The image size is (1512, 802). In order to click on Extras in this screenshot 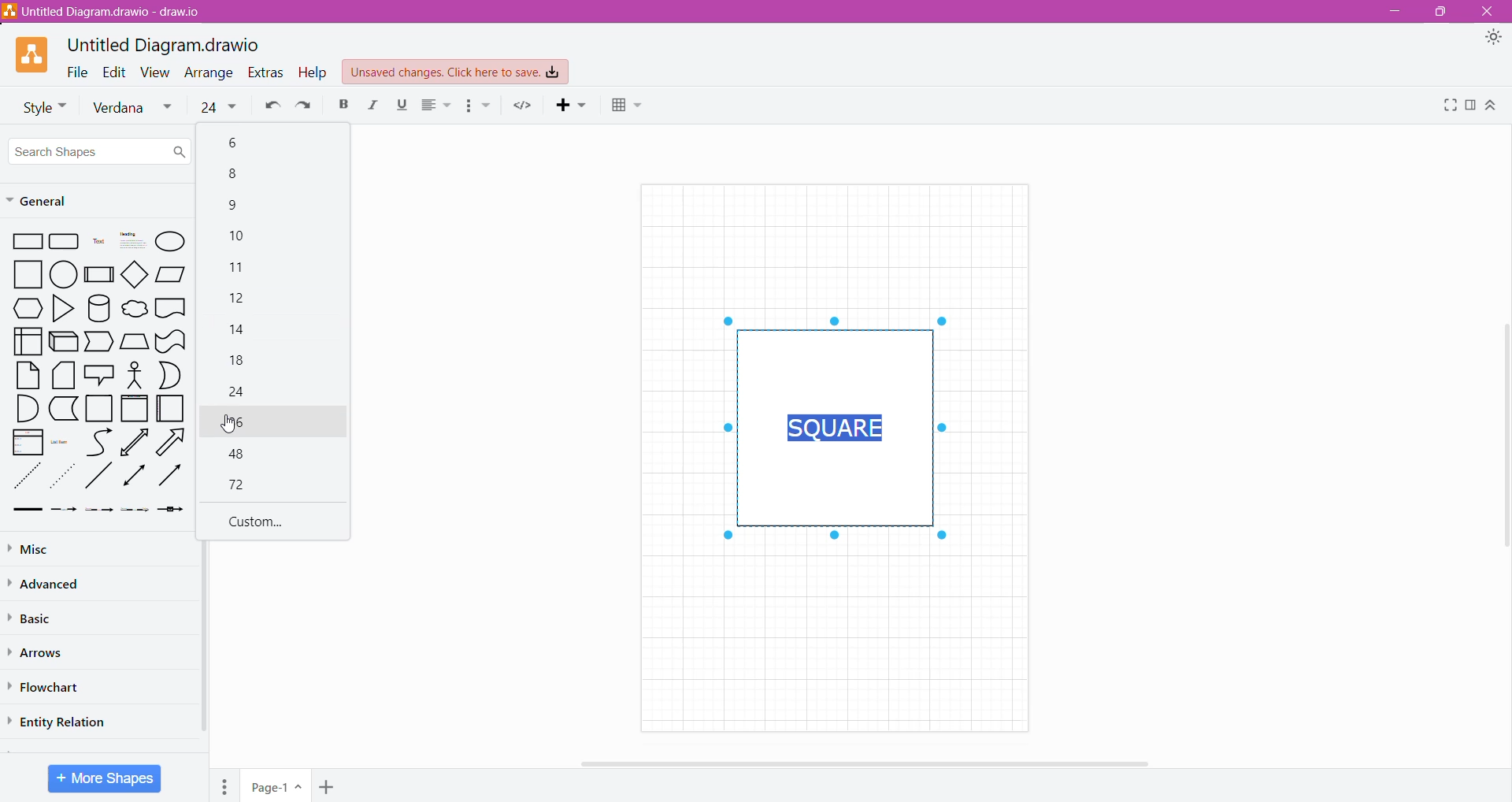, I will do `click(265, 72)`.